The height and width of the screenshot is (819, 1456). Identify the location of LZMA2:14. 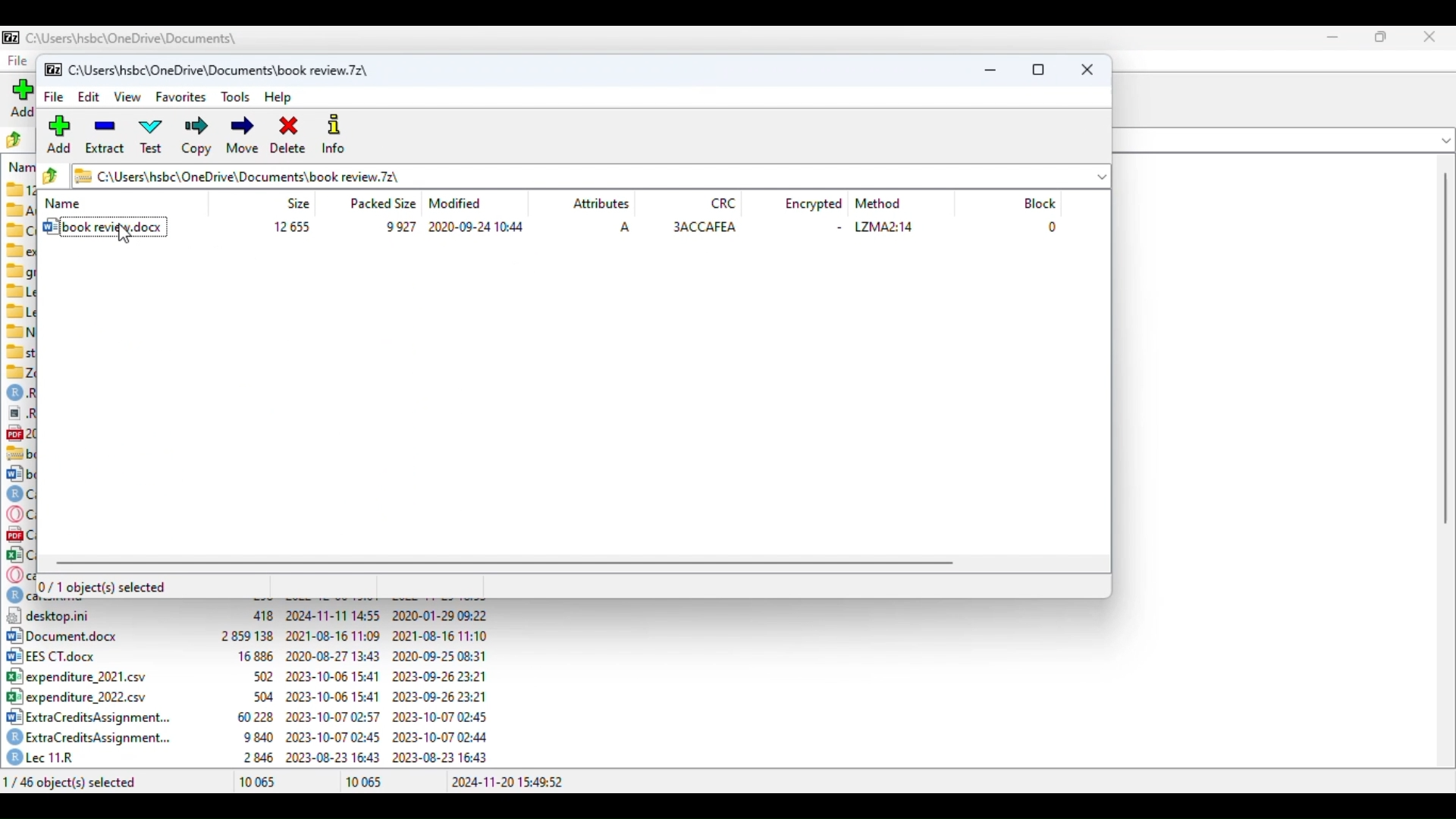
(883, 227).